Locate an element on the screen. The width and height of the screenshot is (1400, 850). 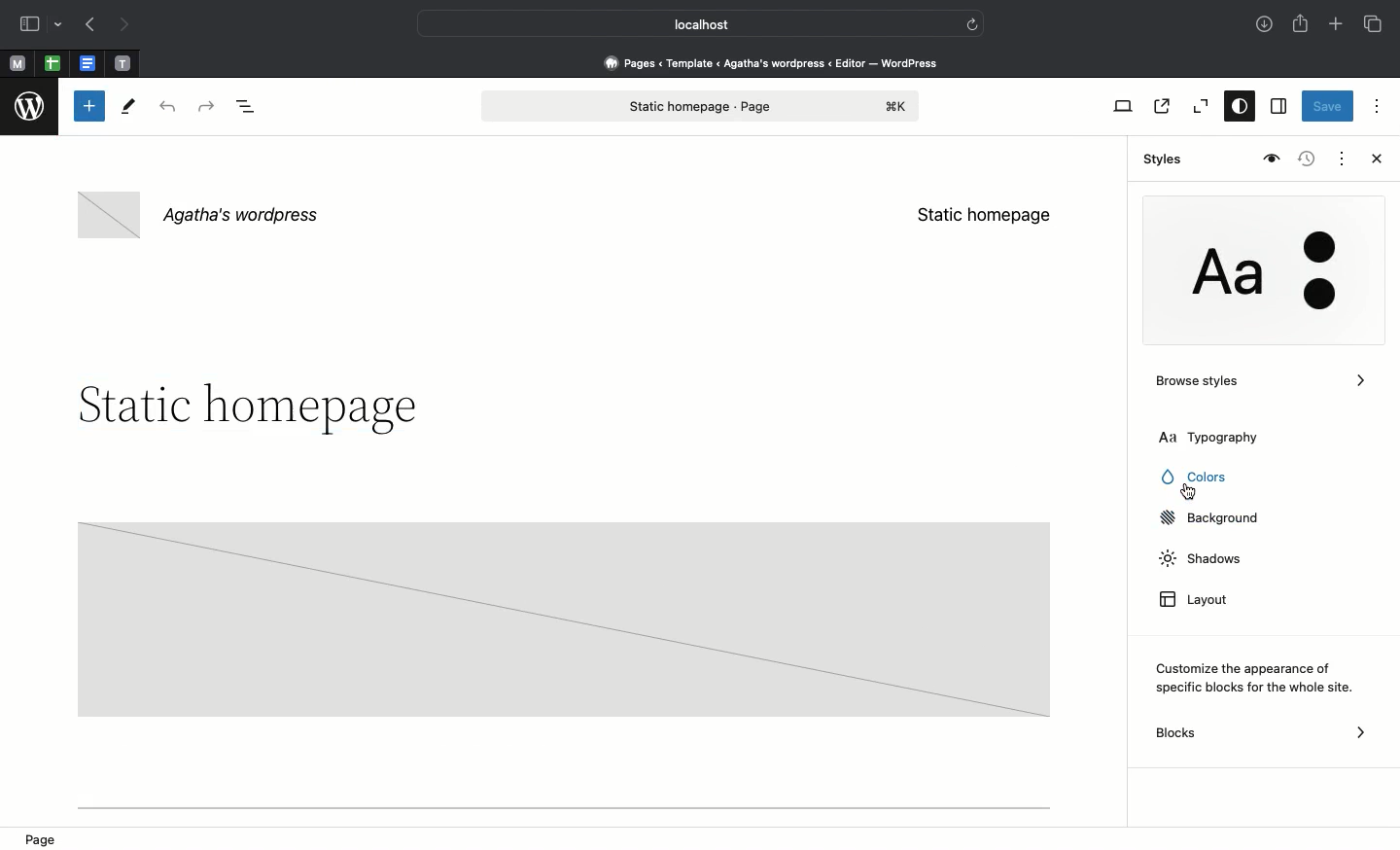
Style book is located at coordinates (1269, 159).